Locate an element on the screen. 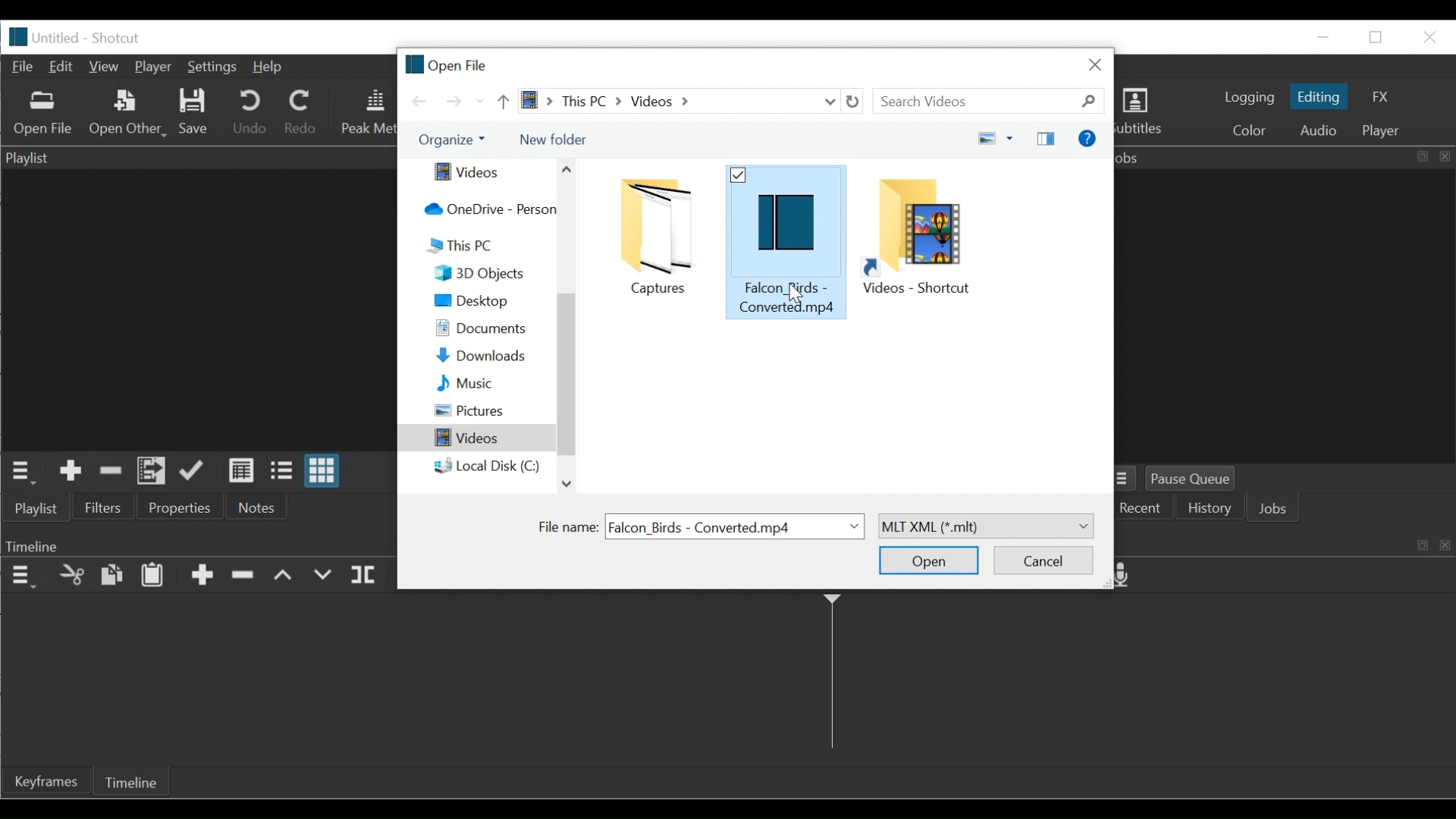  Recent is located at coordinates (480, 102).